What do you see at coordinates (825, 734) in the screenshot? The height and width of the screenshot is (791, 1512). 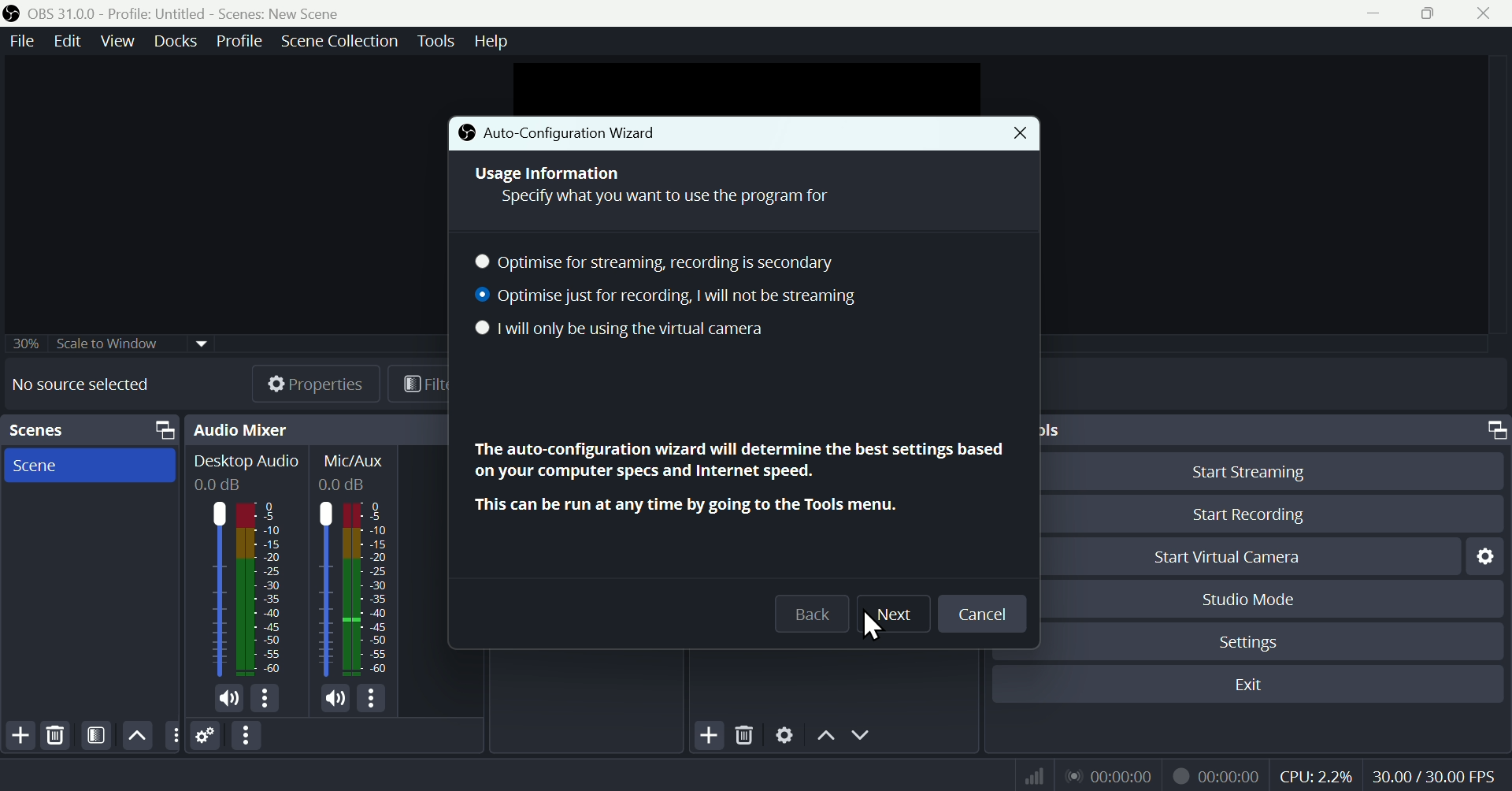 I see `Up` at bounding box center [825, 734].